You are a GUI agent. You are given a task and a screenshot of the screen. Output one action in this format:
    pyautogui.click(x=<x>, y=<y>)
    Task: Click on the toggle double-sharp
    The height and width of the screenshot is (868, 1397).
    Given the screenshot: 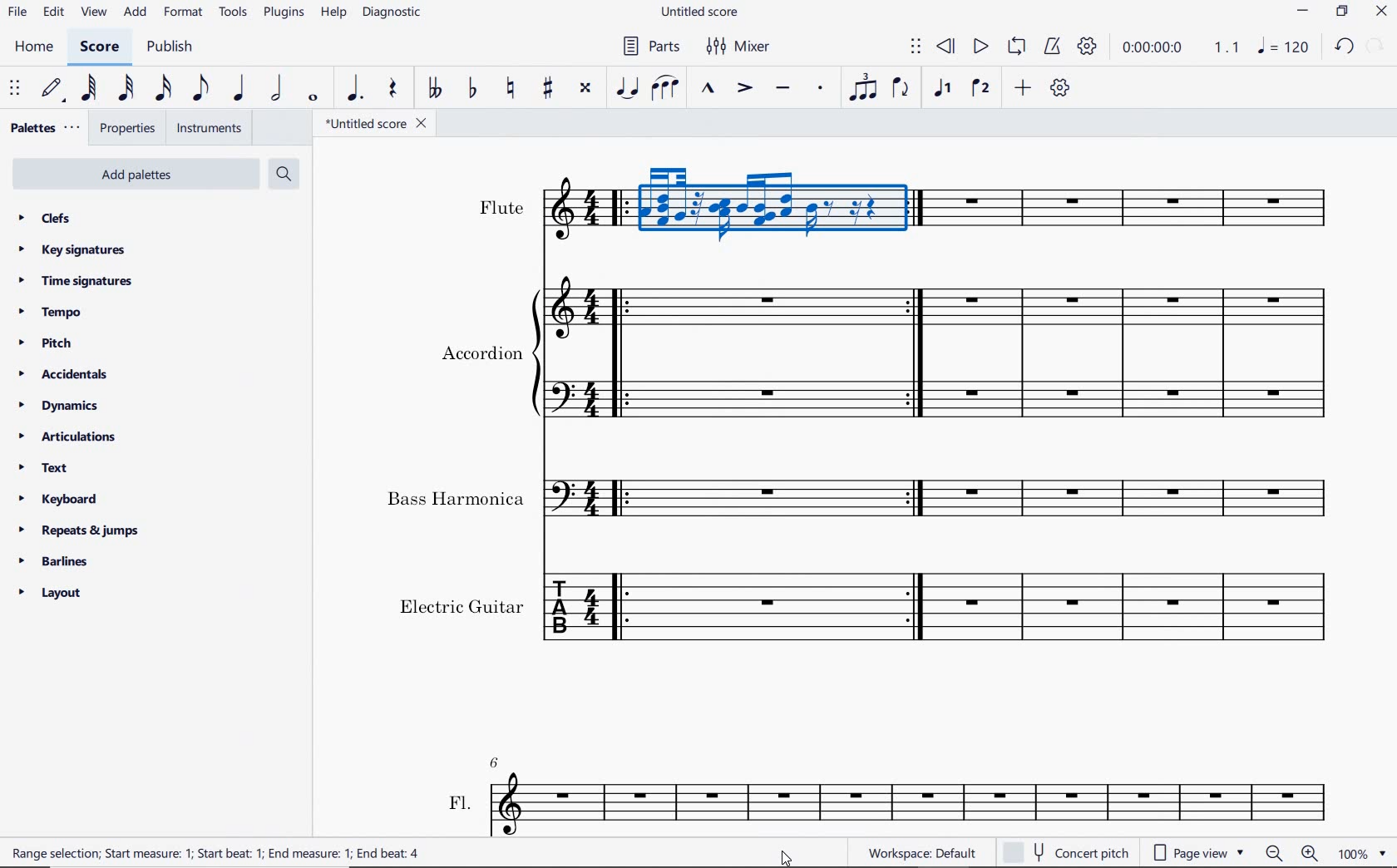 What is the action you would take?
    pyautogui.click(x=584, y=90)
    